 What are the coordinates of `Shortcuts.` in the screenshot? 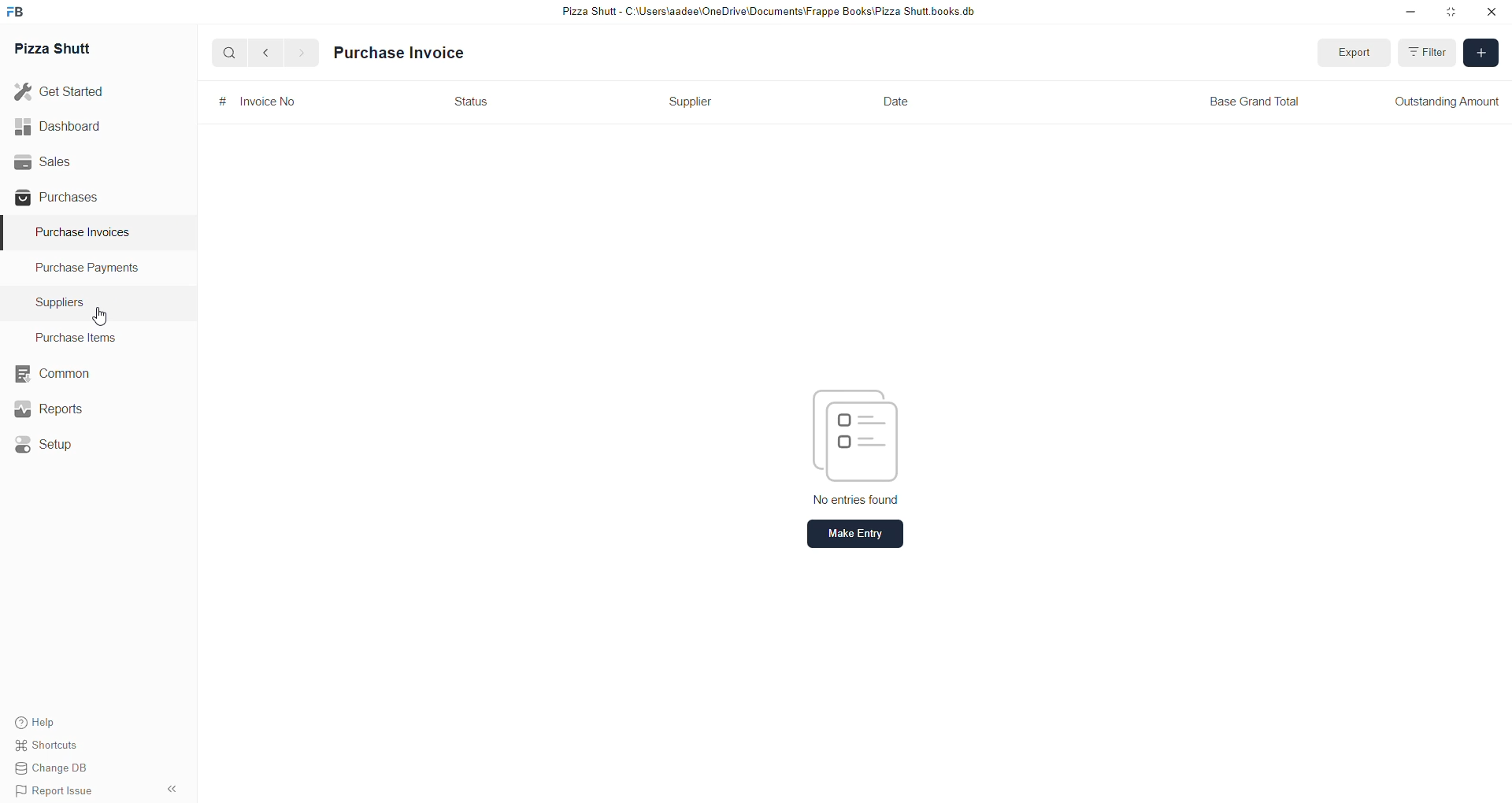 It's located at (57, 748).